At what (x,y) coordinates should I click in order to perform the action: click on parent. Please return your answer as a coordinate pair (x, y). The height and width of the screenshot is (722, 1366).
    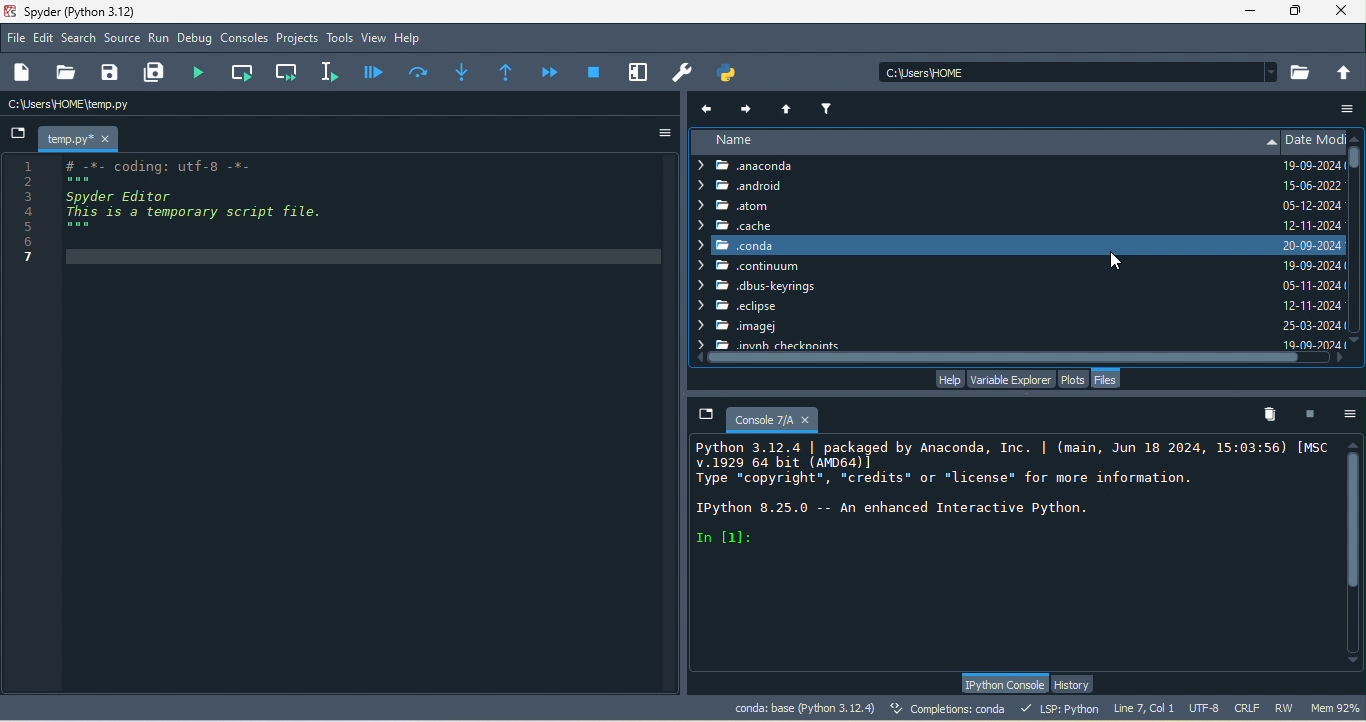
    Looking at the image, I should click on (790, 107).